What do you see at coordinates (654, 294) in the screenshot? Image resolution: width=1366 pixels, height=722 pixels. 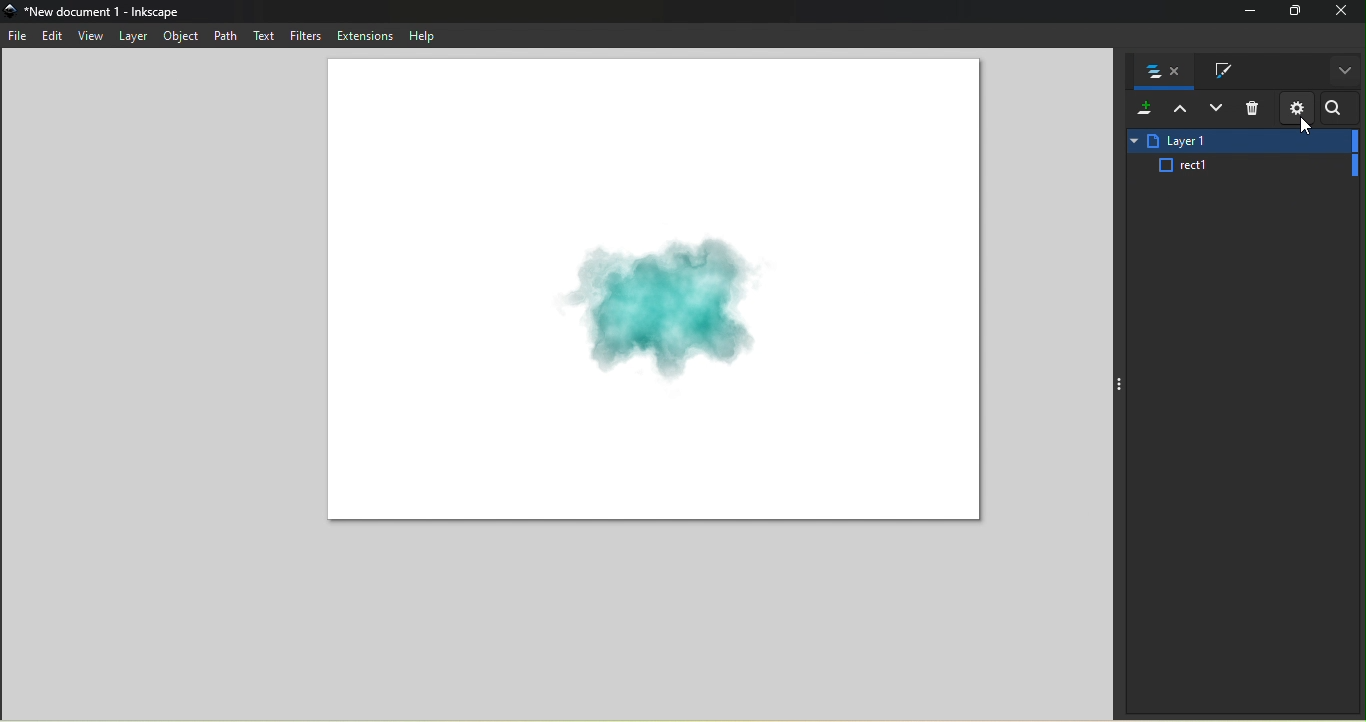 I see `Canvas showing some shape` at bounding box center [654, 294].